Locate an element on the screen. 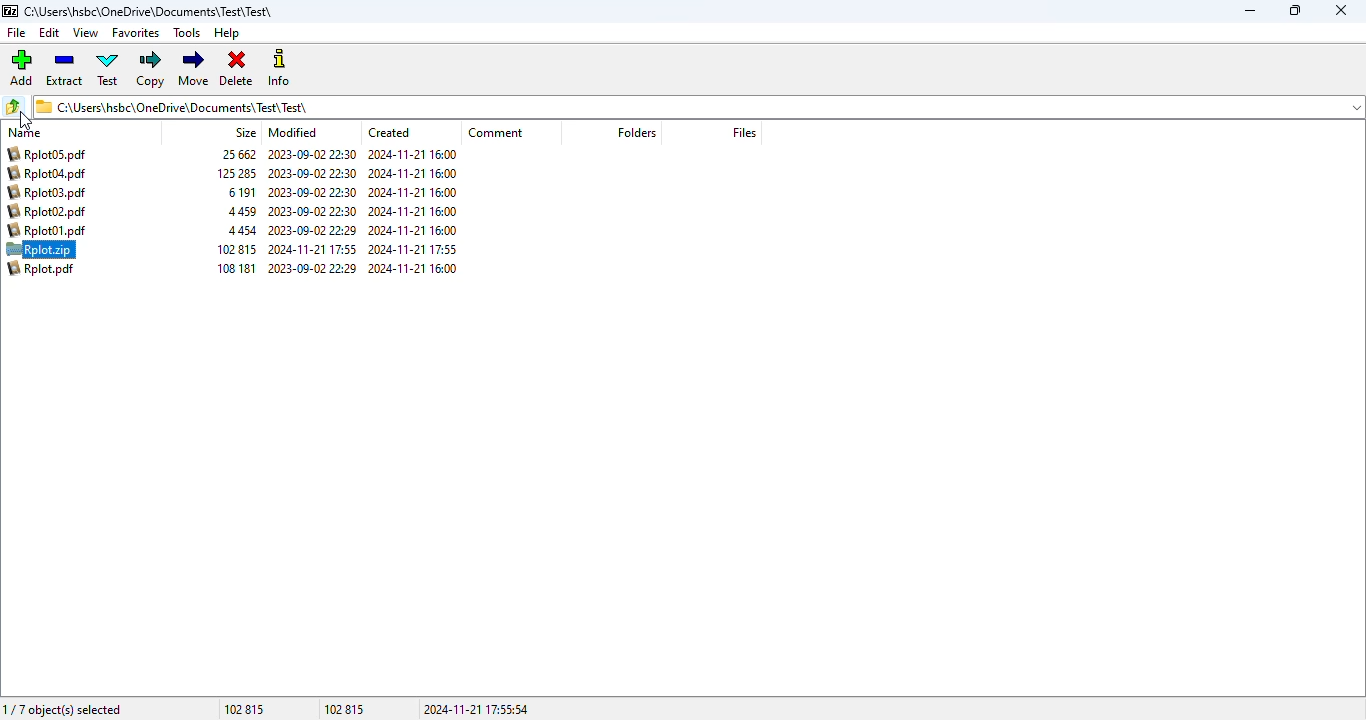  Rplot01.pdf is located at coordinates (45, 230).